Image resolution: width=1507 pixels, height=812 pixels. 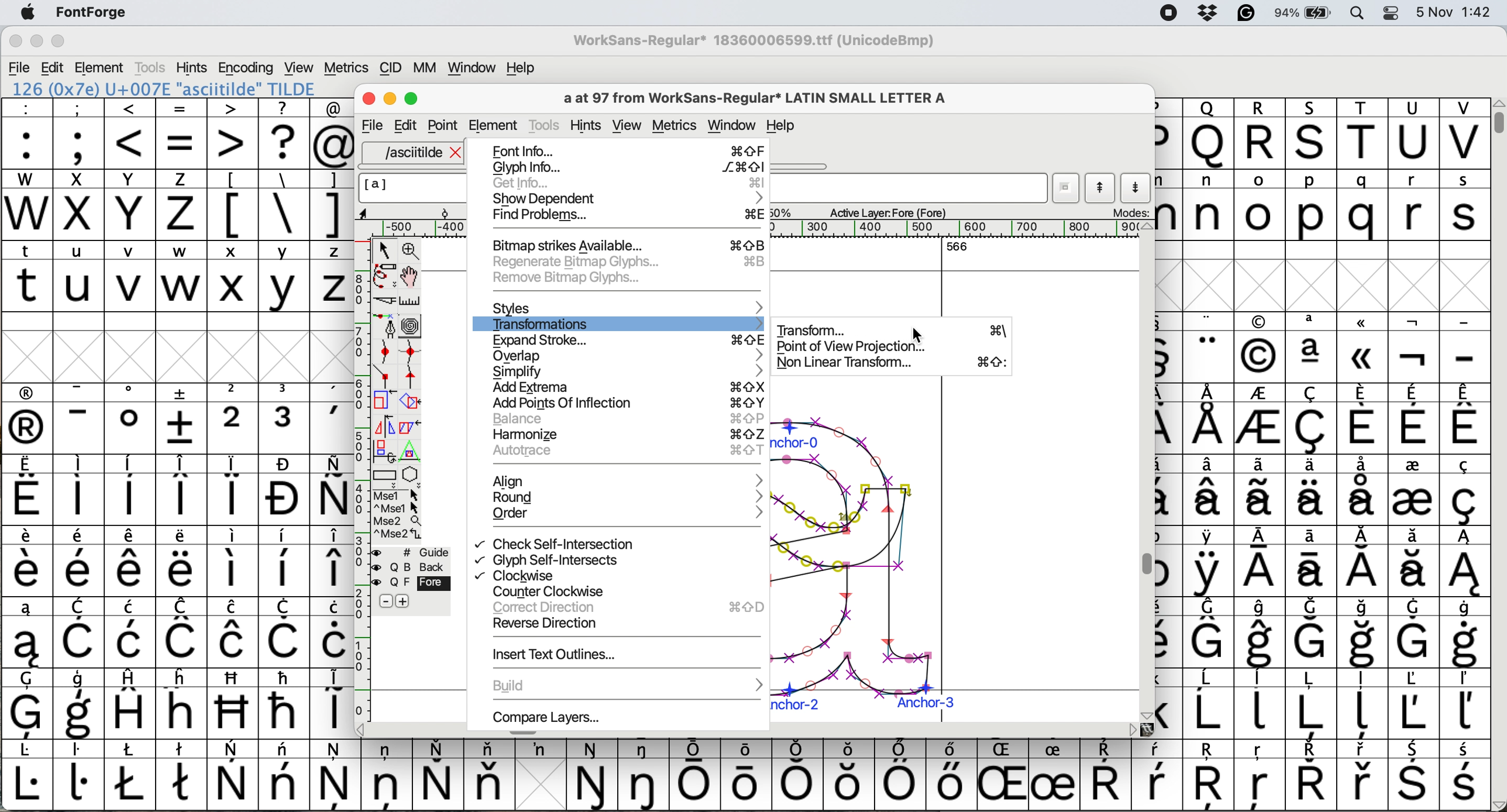 What do you see at coordinates (1204, 13) in the screenshot?
I see `dropbox` at bounding box center [1204, 13].